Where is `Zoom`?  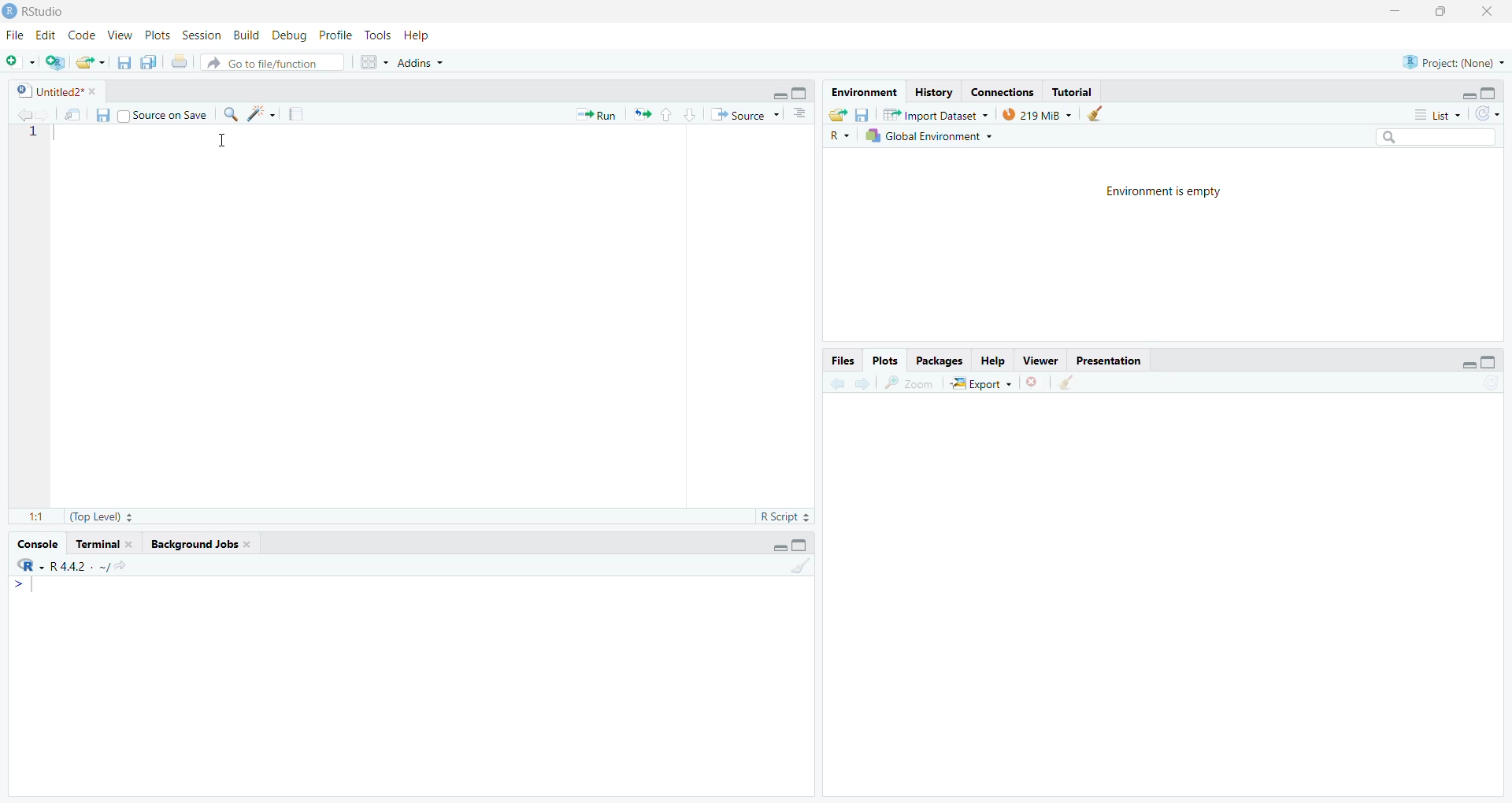
Zoom is located at coordinates (909, 383).